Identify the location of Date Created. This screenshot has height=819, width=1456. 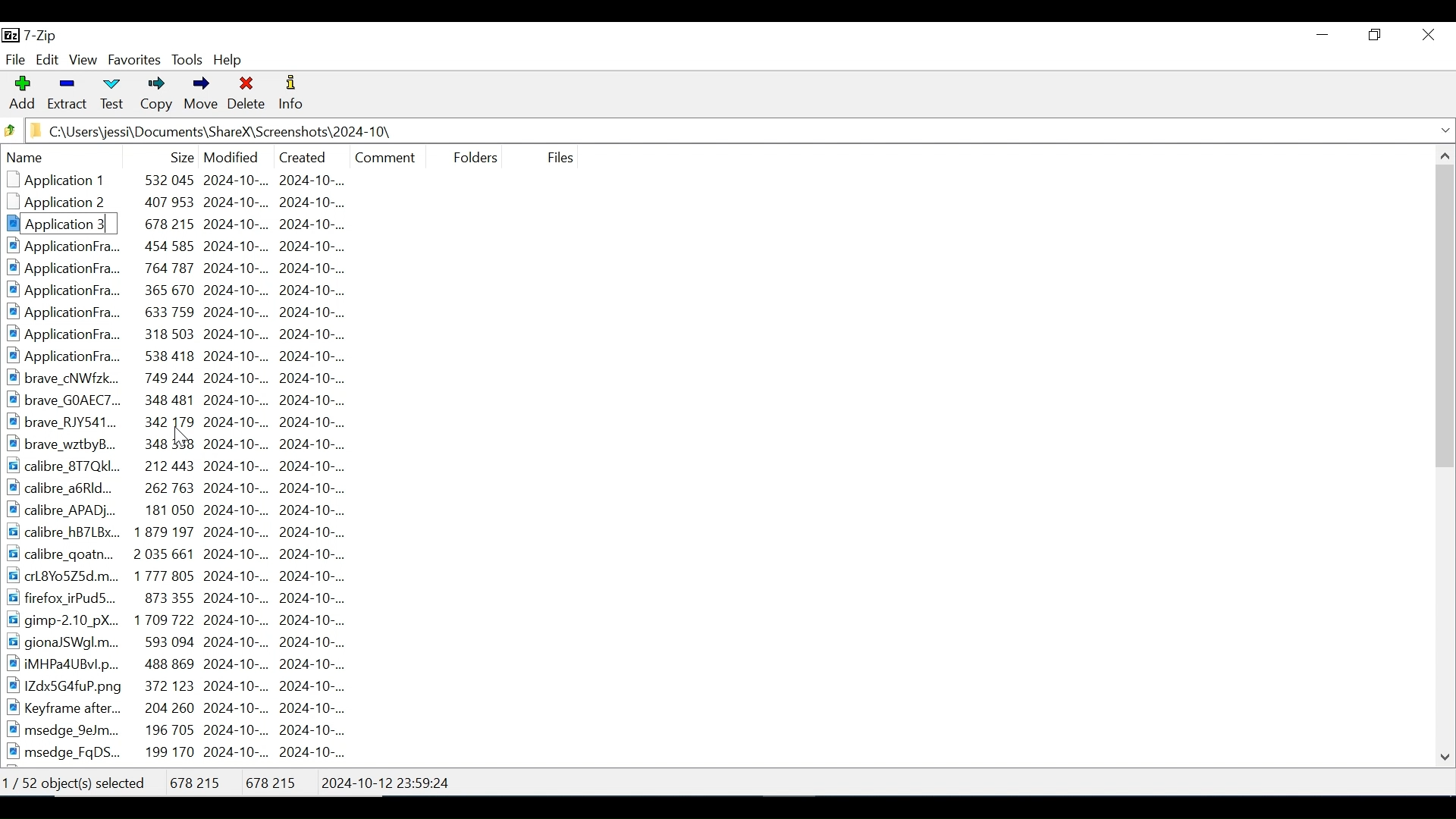
(301, 155).